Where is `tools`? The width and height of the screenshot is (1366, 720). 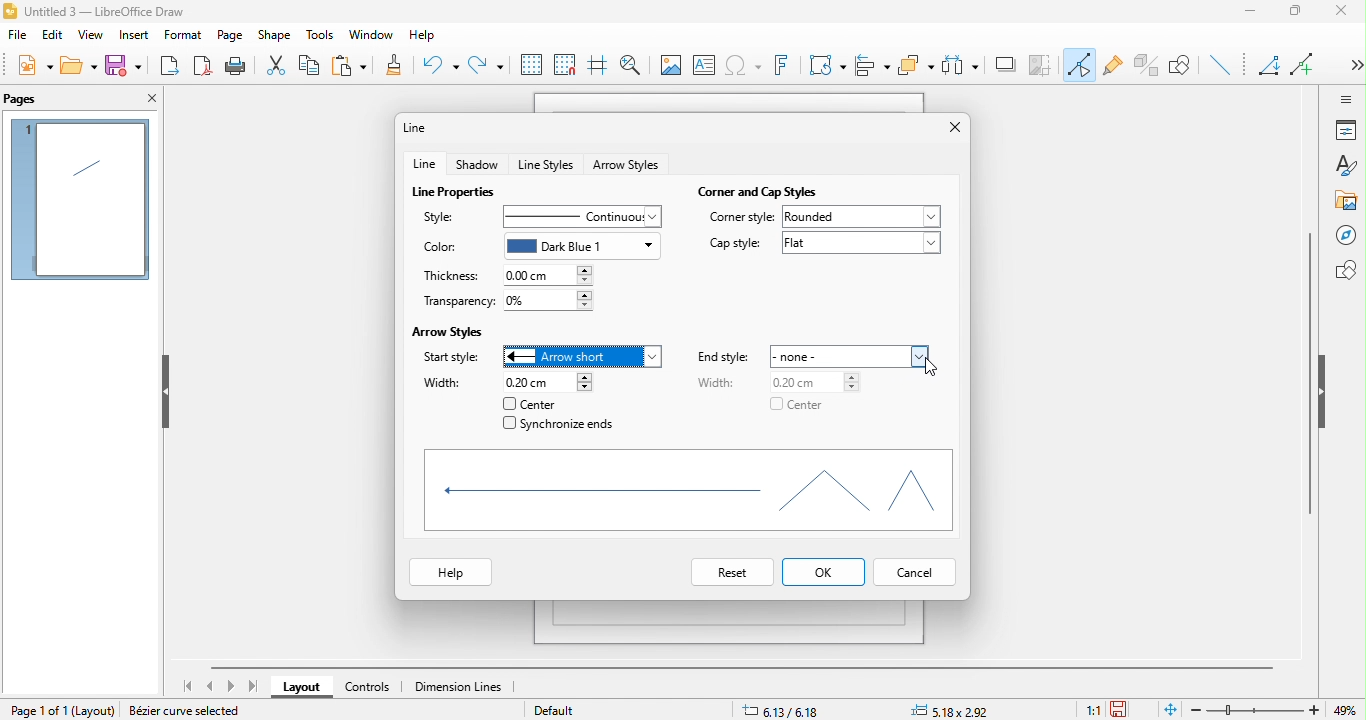
tools is located at coordinates (315, 34).